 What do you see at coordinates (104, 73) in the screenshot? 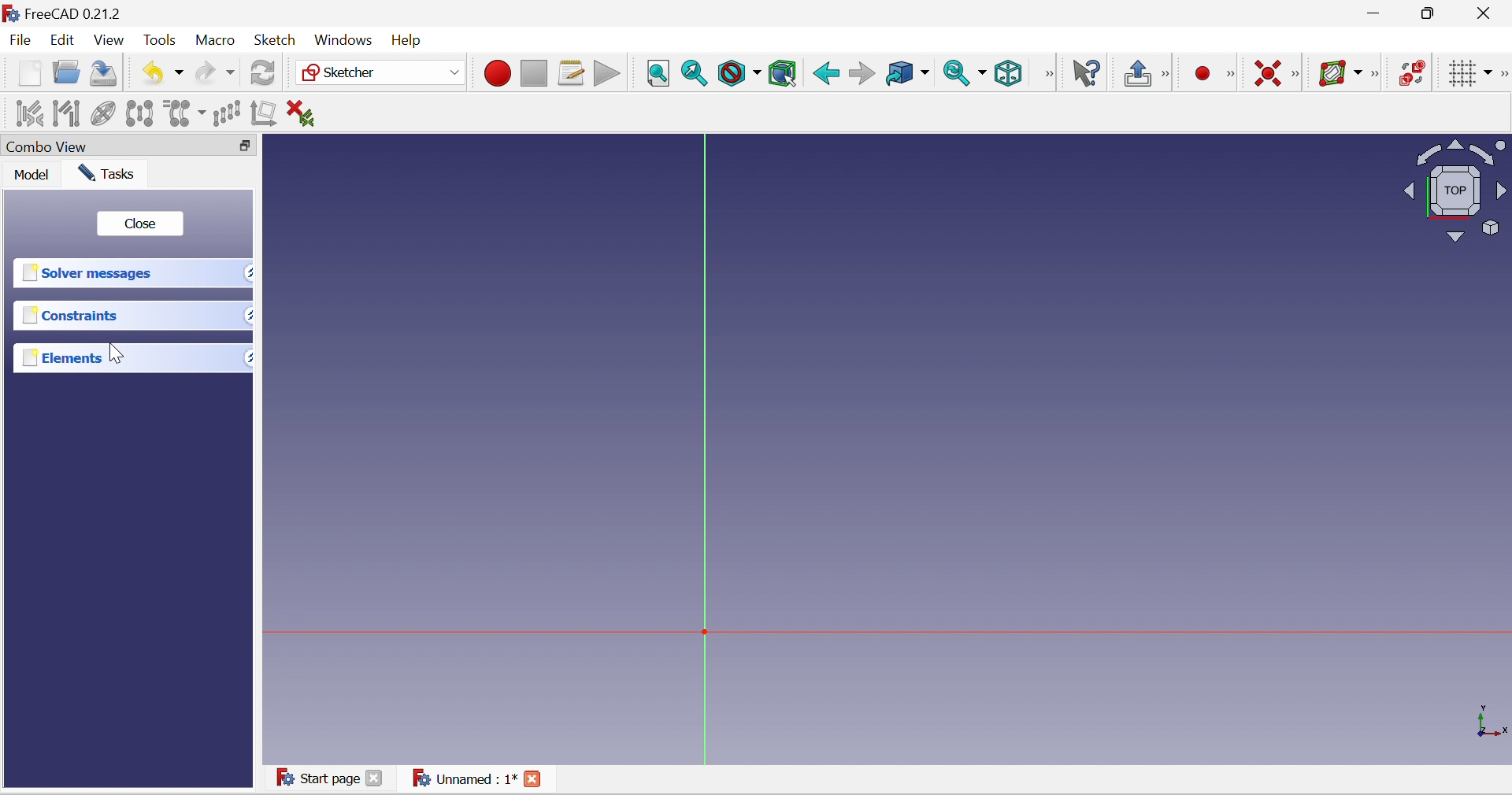
I see `Save` at bounding box center [104, 73].